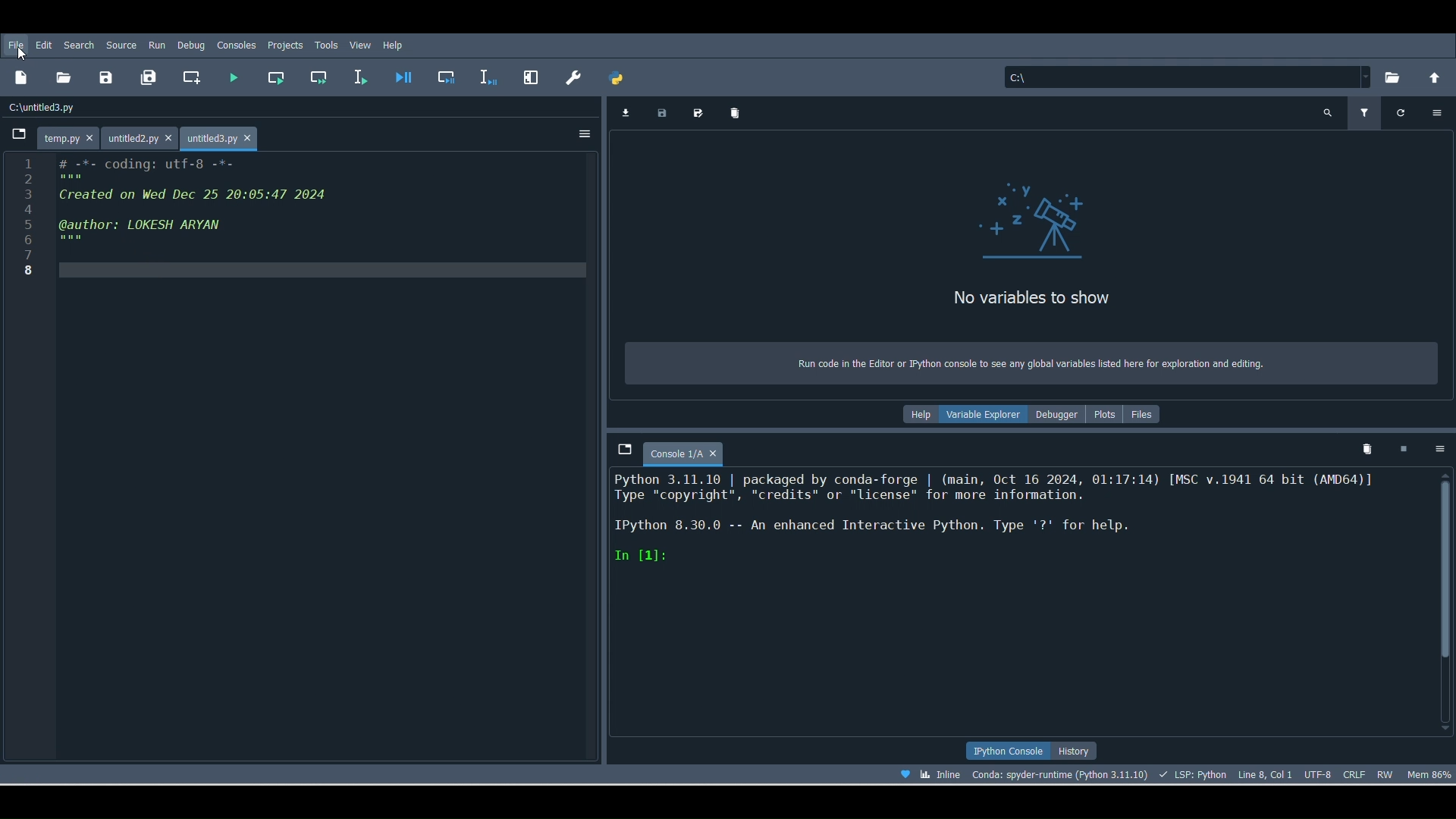  Describe the element at coordinates (152, 78) in the screenshot. I see `save all file (Ctrl + Alt + S)` at that location.